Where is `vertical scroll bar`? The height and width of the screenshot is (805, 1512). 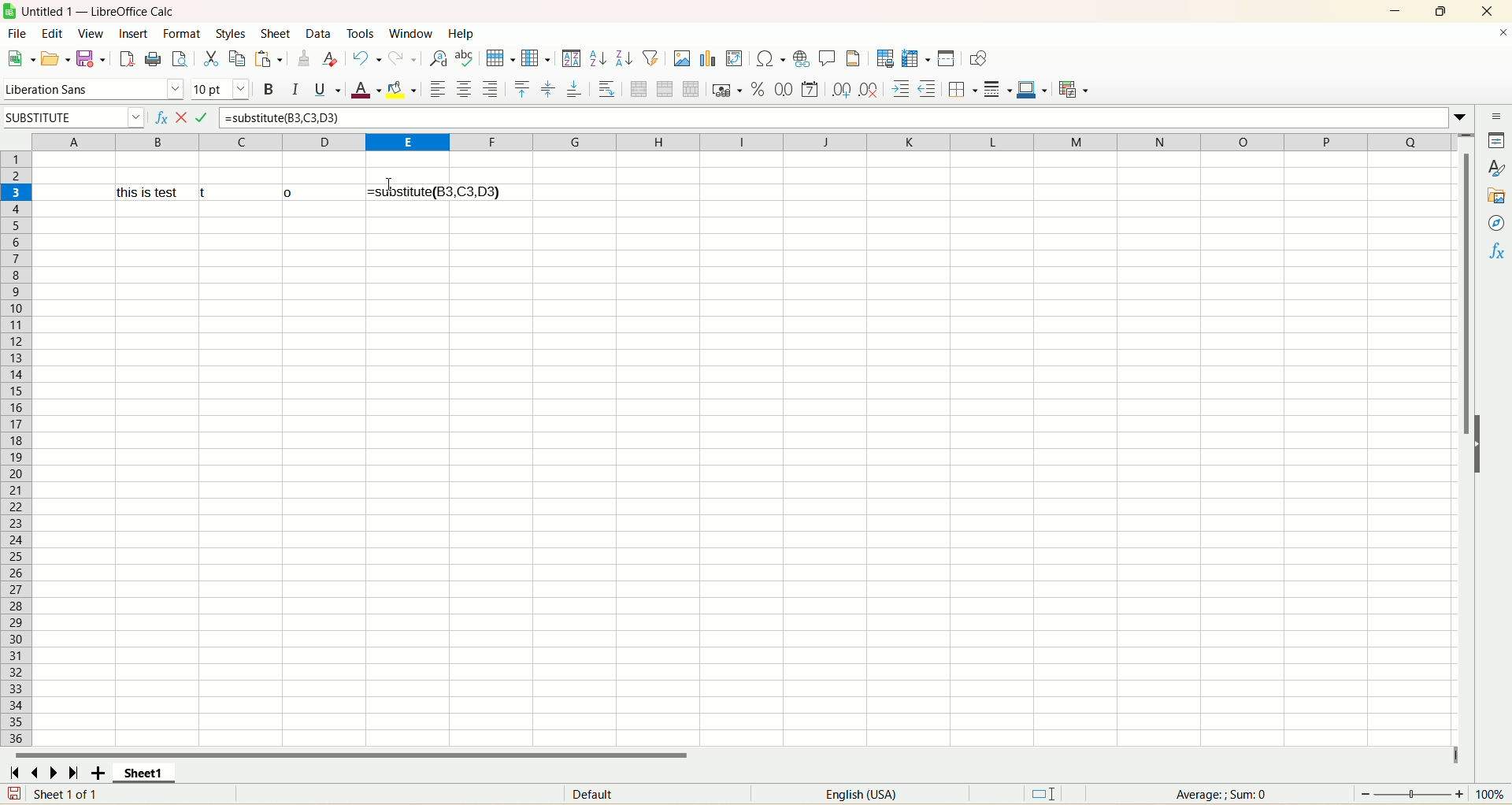
vertical scroll bar is located at coordinates (1462, 460).